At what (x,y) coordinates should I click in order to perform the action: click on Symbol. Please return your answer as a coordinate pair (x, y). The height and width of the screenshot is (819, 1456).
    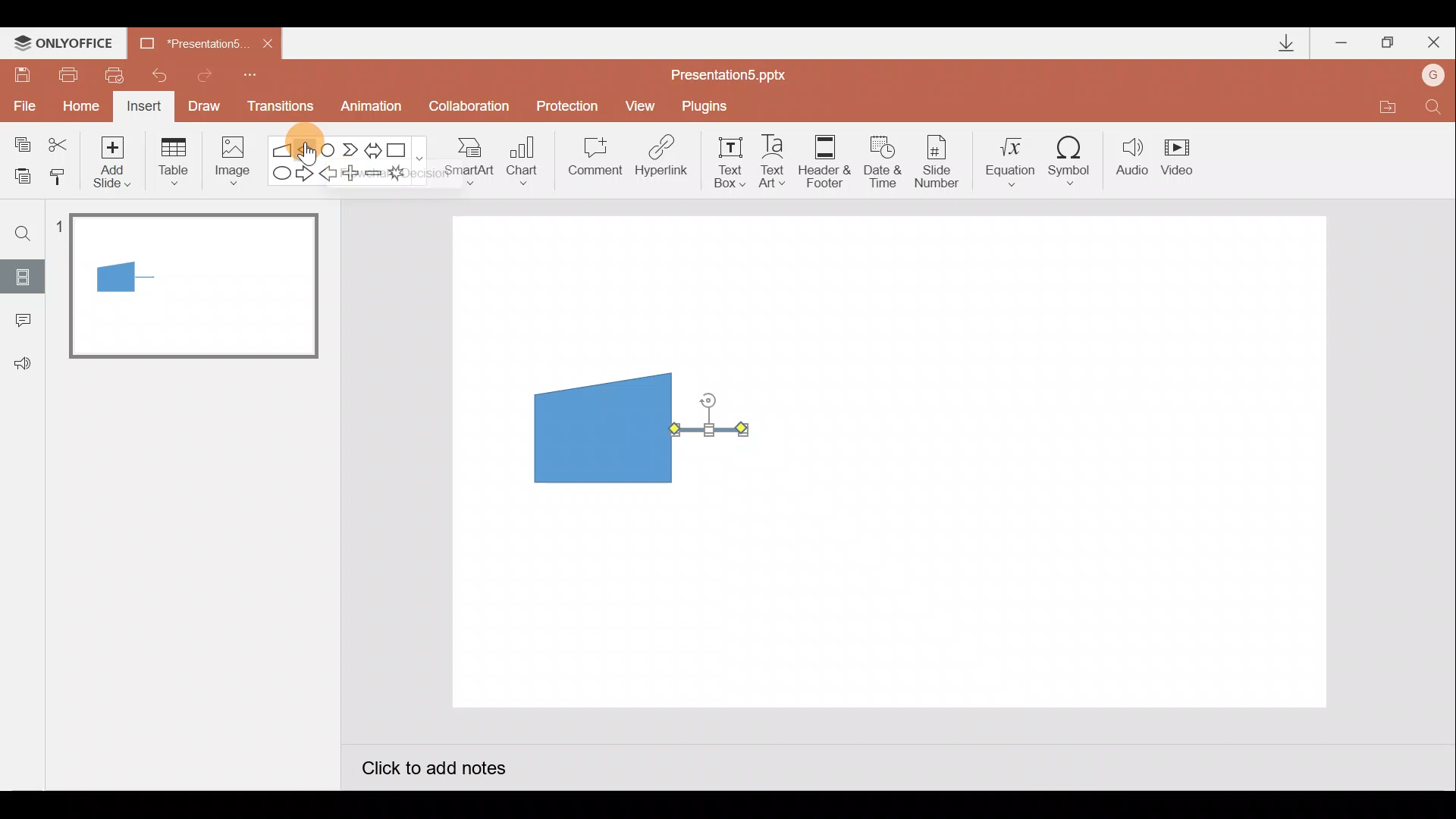
    Looking at the image, I should click on (1075, 160).